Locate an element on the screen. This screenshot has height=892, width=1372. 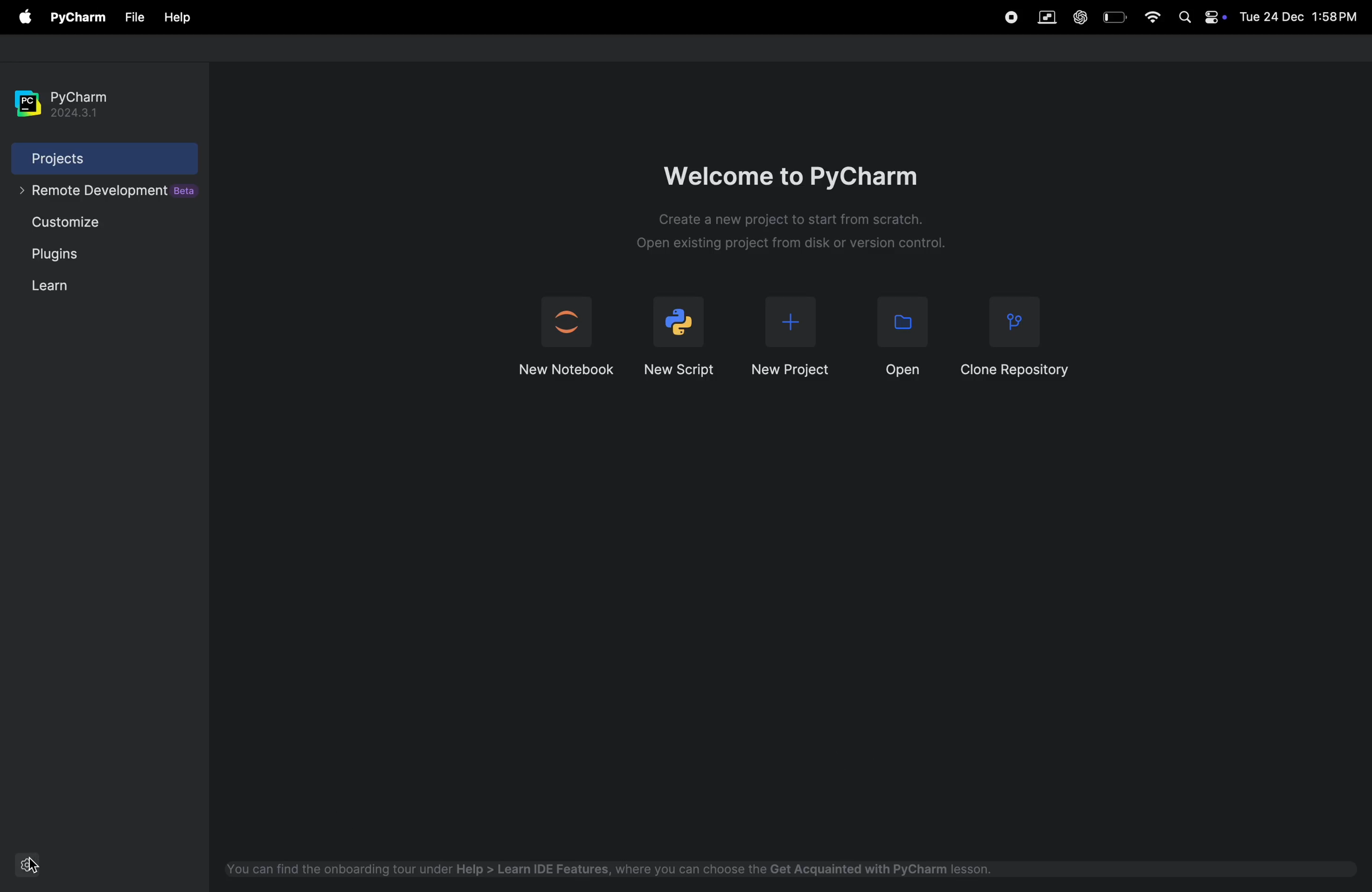
pycharm 2024.3.1 is located at coordinates (67, 97).